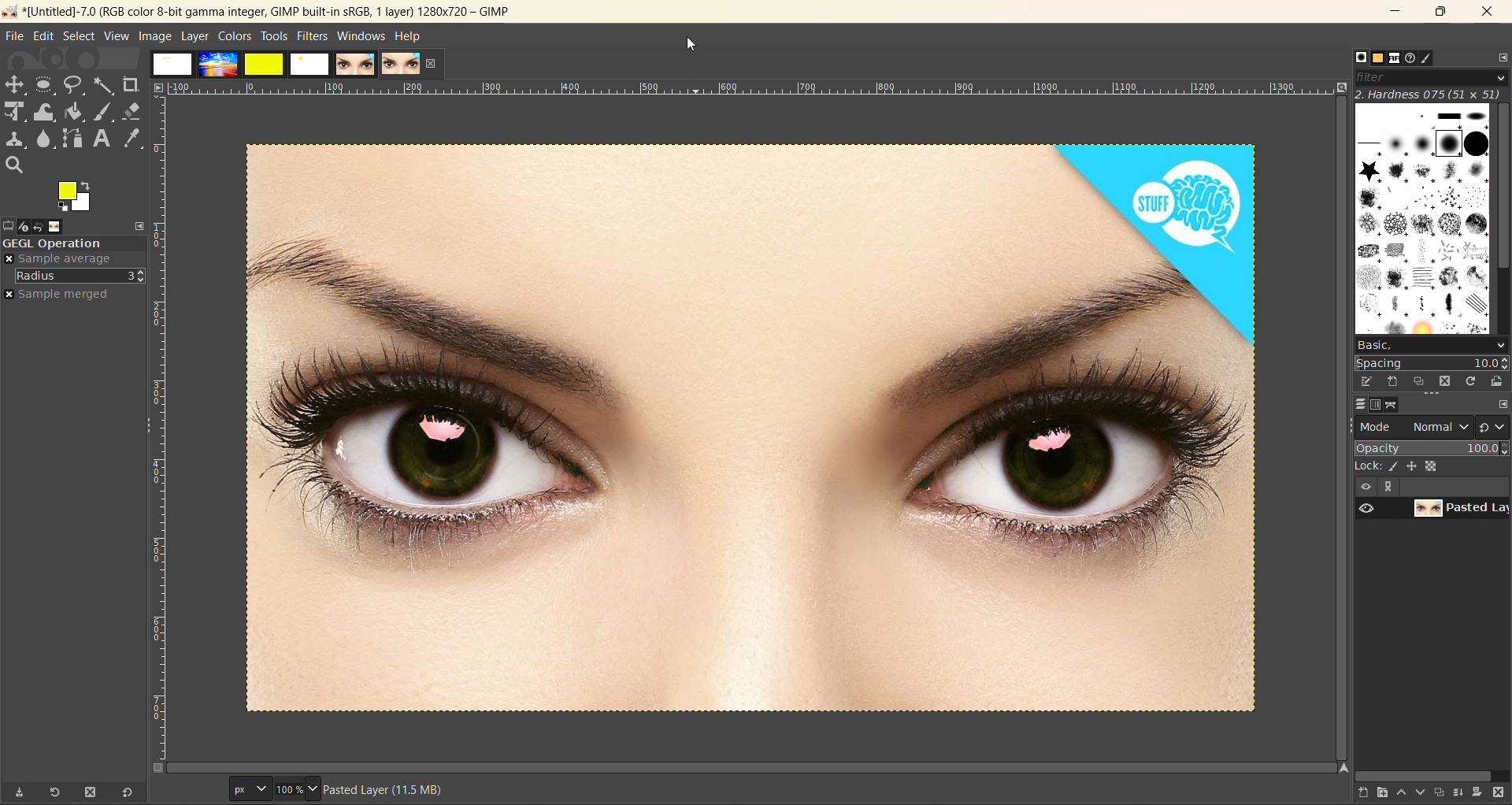  Describe the element at coordinates (1435, 466) in the screenshot. I see `size` at that location.